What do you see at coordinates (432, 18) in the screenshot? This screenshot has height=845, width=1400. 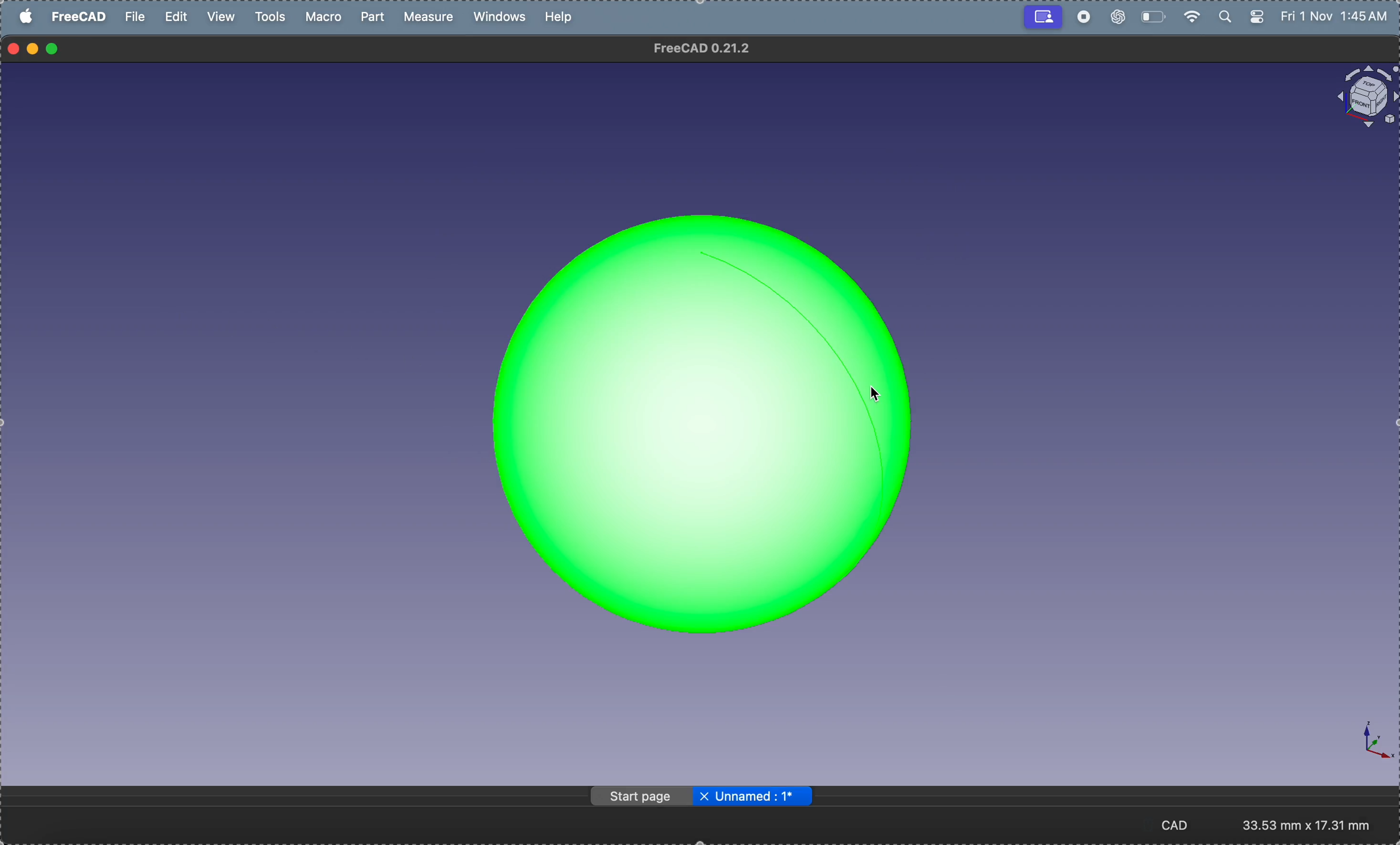 I see `measure` at bounding box center [432, 18].